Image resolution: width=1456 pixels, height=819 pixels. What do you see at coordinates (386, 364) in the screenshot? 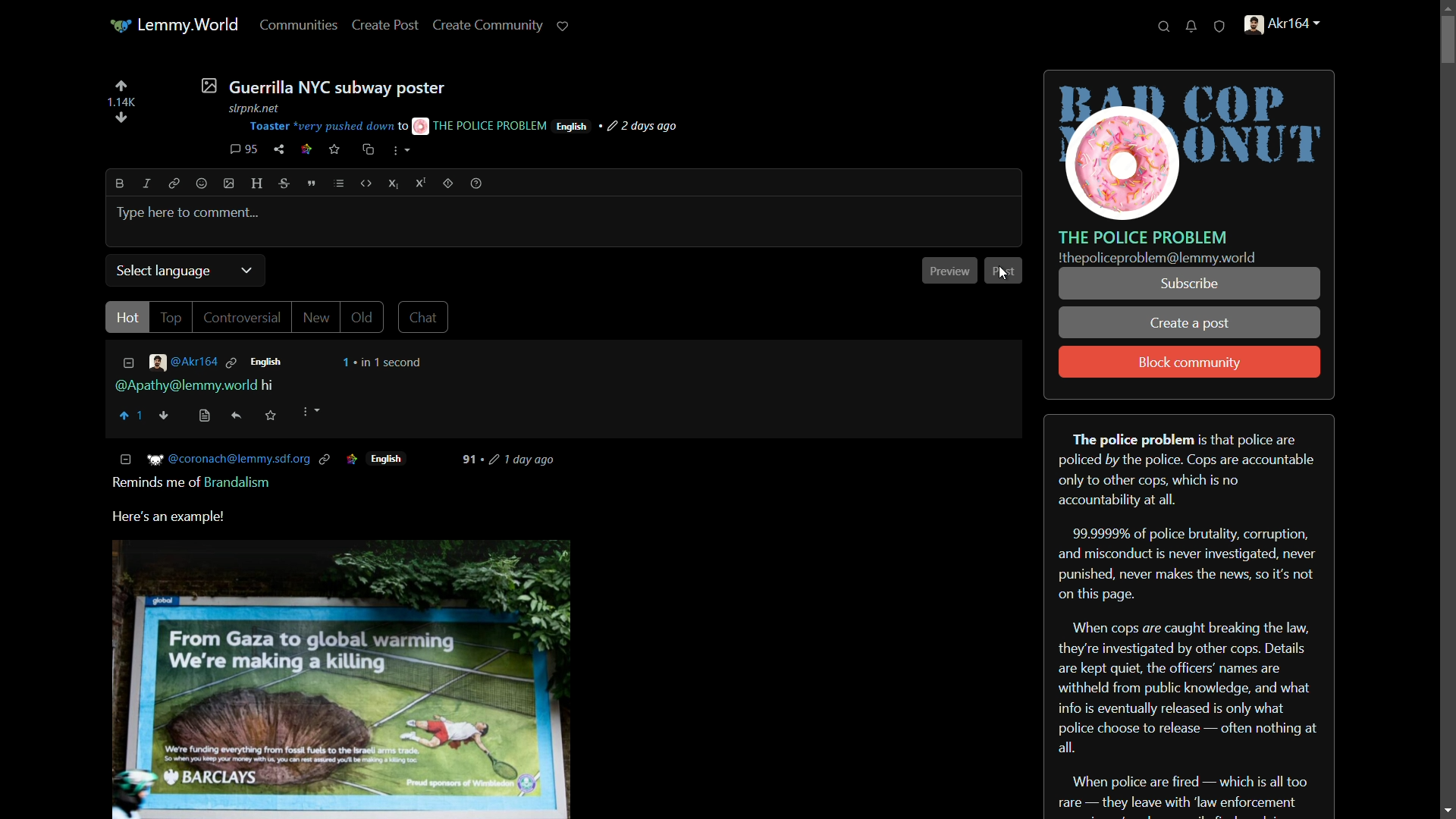
I see `time` at bounding box center [386, 364].